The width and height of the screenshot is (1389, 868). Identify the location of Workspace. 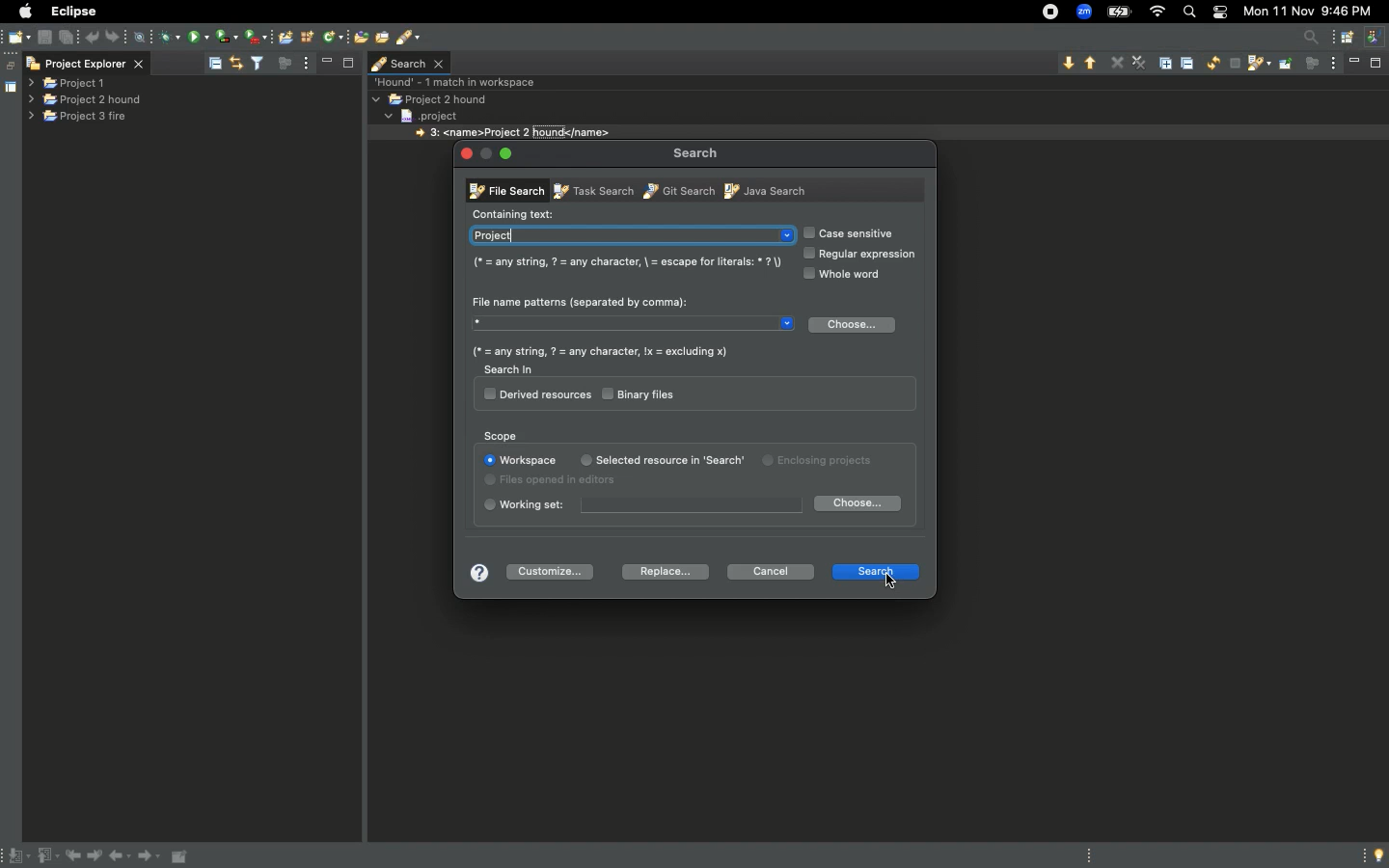
(519, 460).